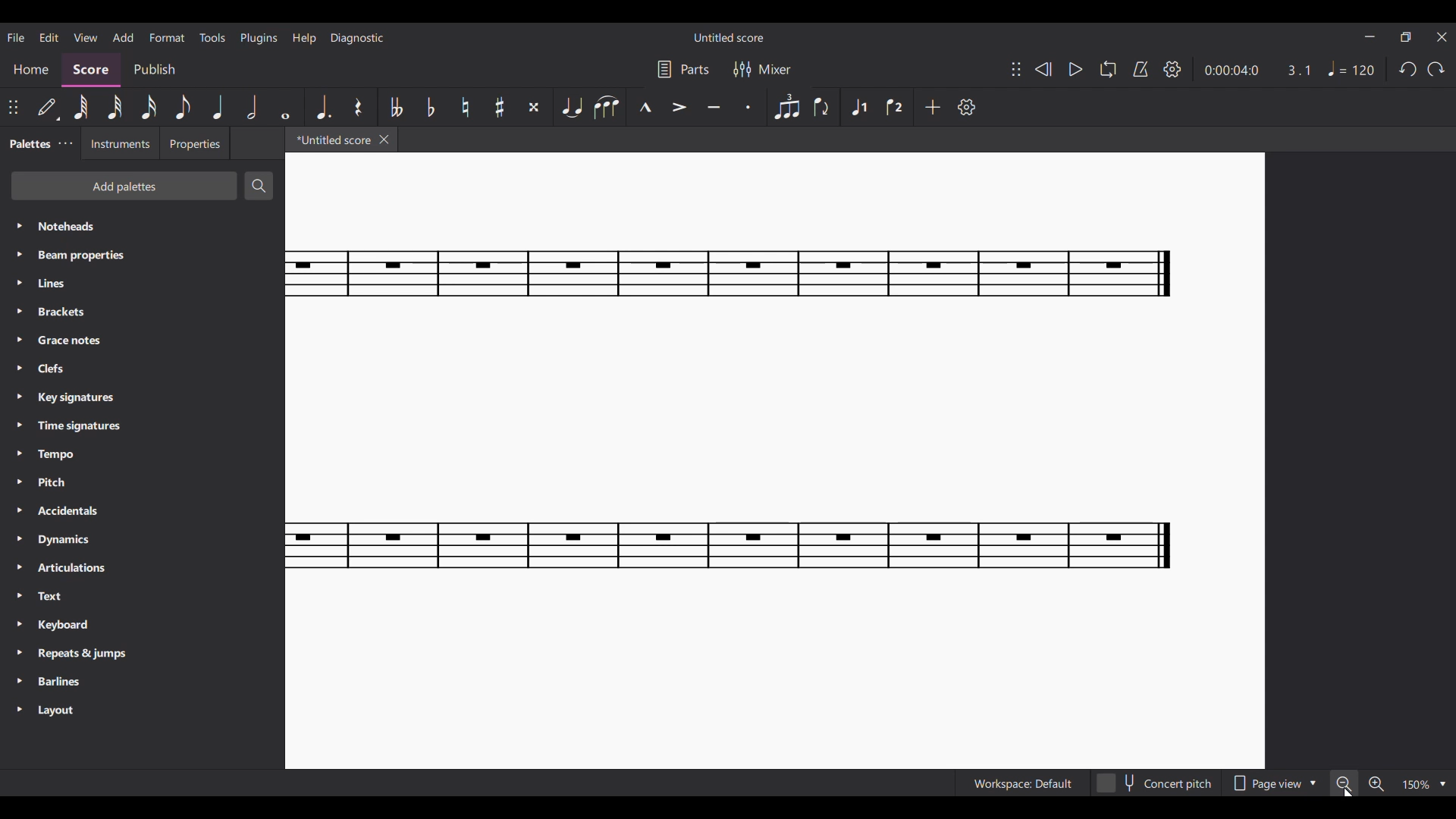  I want to click on Score, current section highlighted, so click(91, 70).